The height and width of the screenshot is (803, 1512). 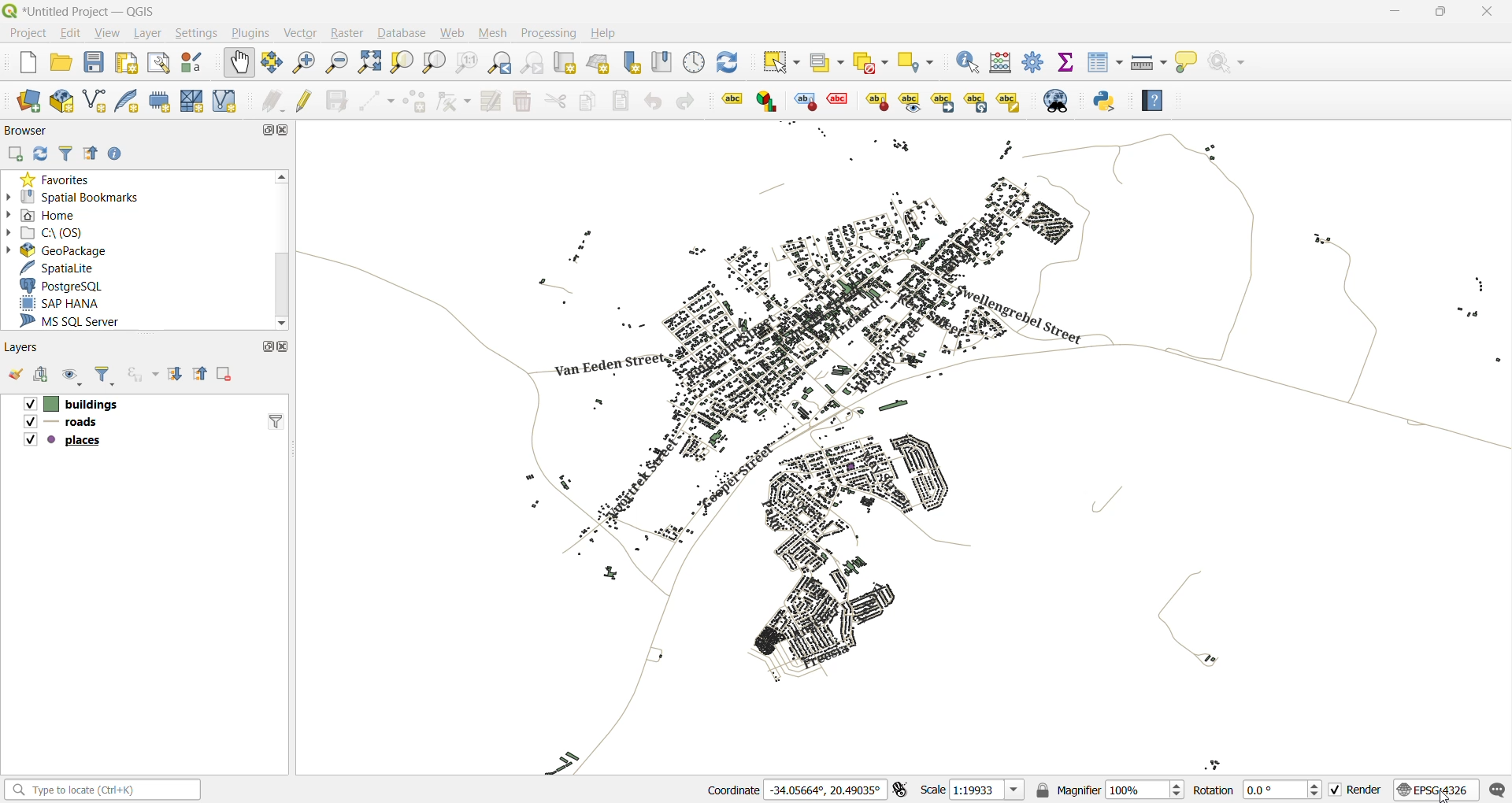 I want to click on show layout, so click(x=154, y=63).